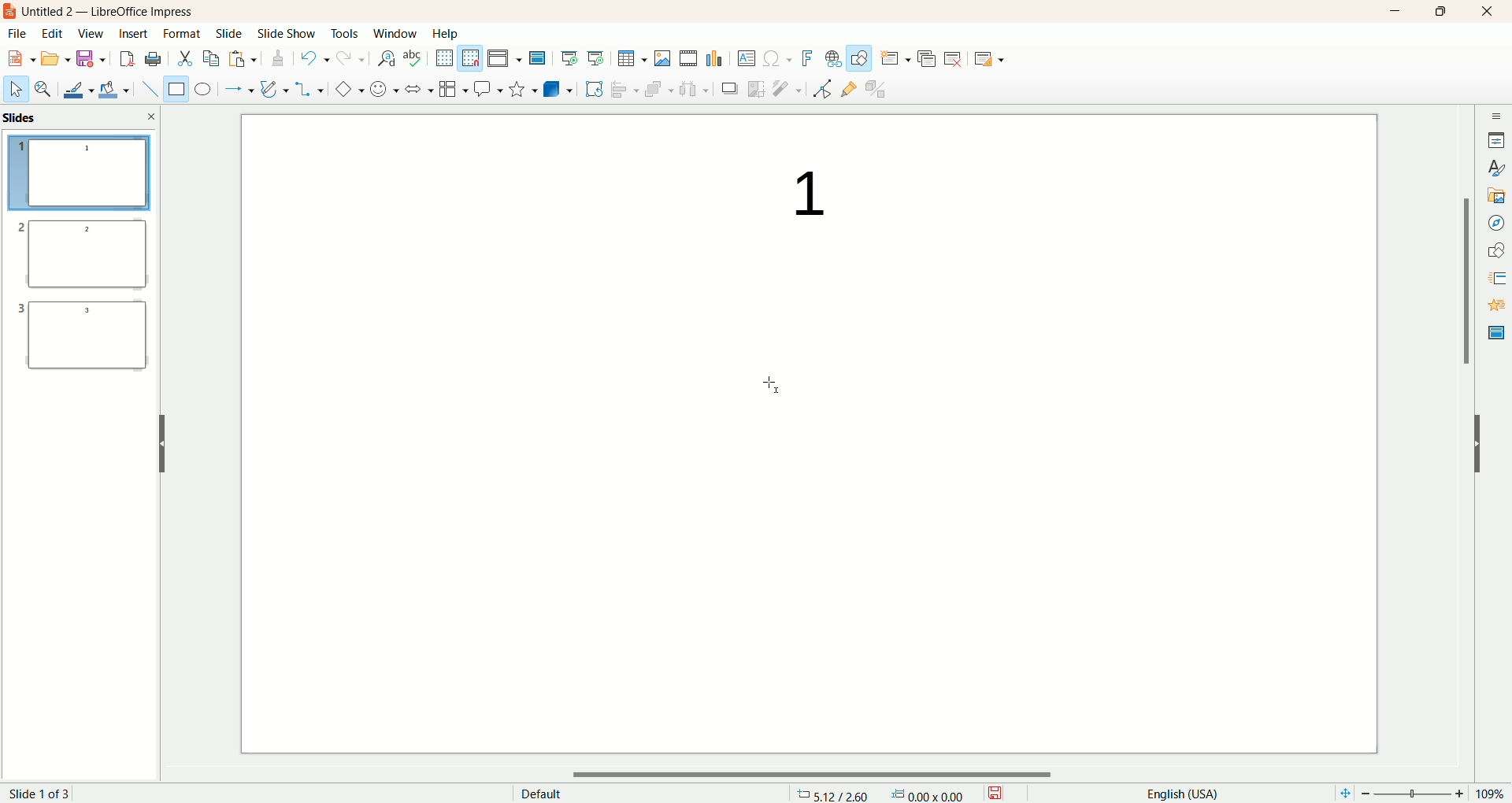  Describe the element at coordinates (769, 378) in the screenshot. I see `cursor` at that location.